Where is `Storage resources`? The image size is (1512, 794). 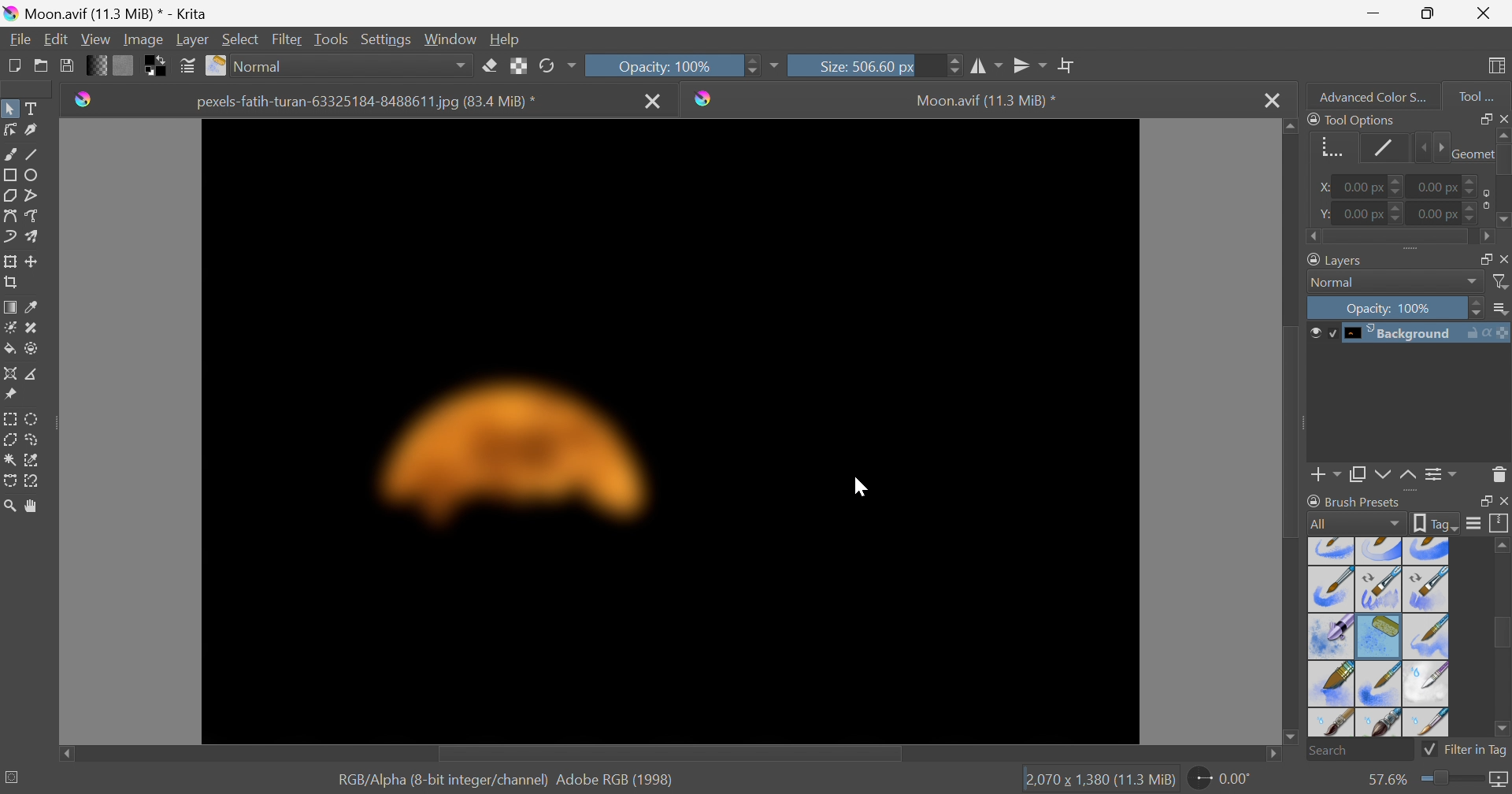
Storage resources is located at coordinates (1501, 523).